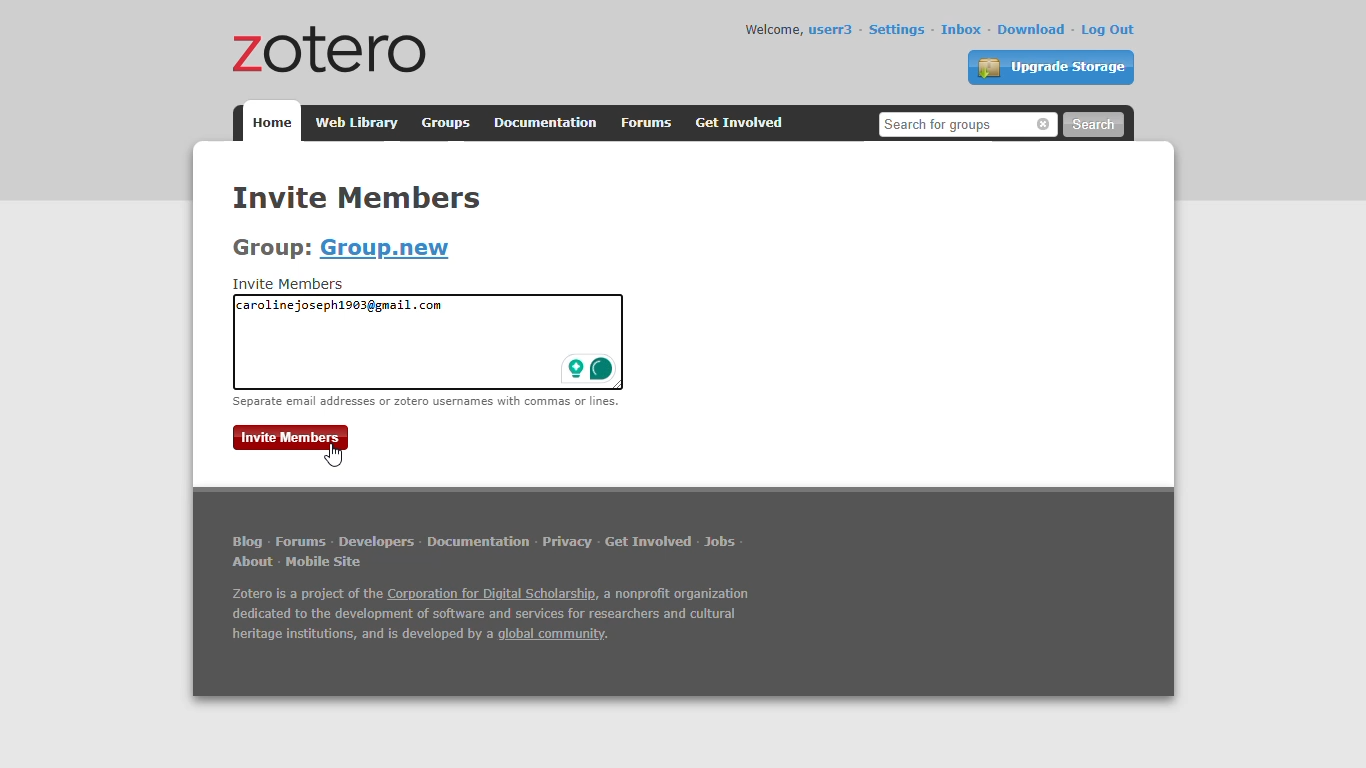 The height and width of the screenshot is (768, 1366). Describe the element at coordinates (772, 29) in the screenshot. I see `welcome,` at that location.